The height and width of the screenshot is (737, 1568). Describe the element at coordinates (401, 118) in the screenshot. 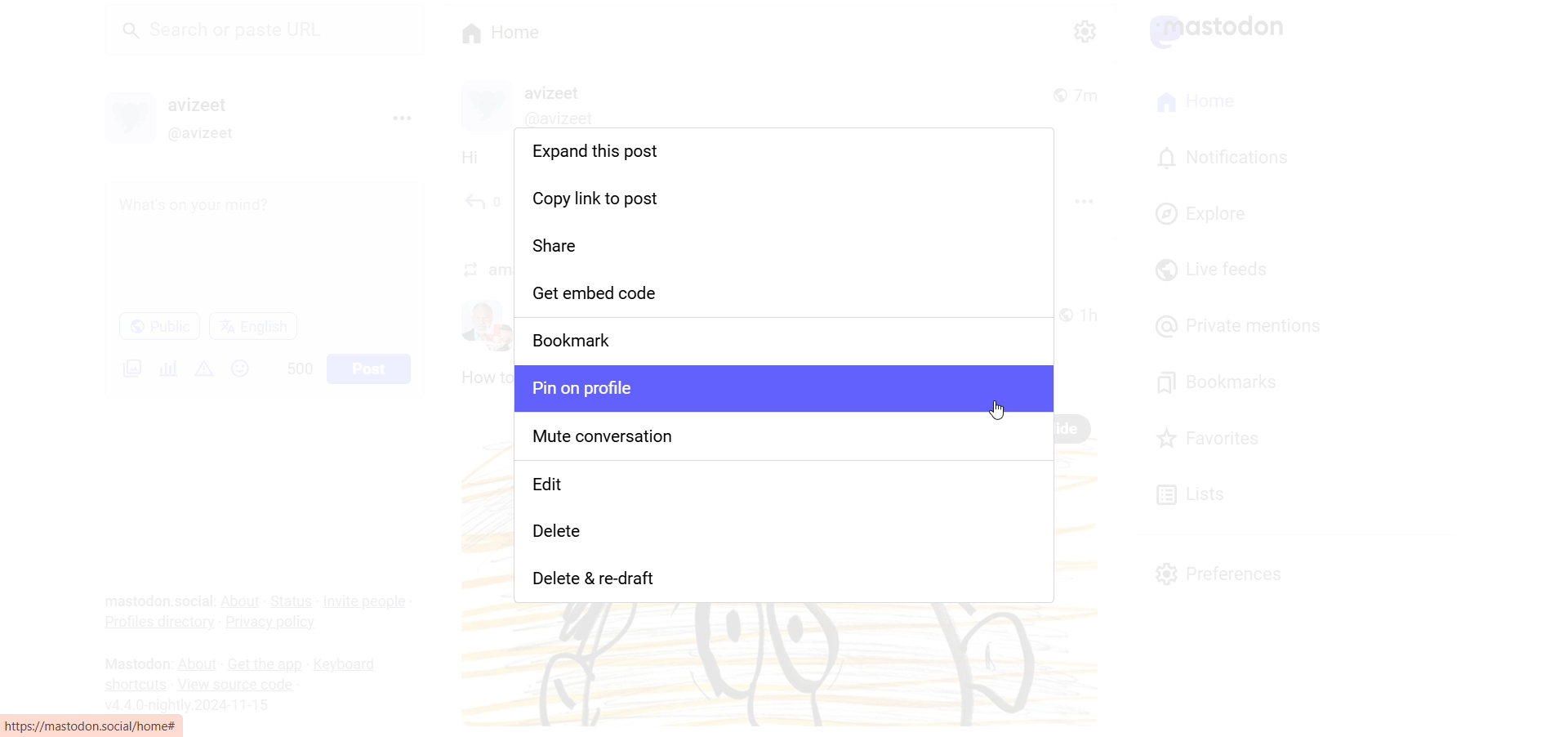

I see `Menu` at that location.